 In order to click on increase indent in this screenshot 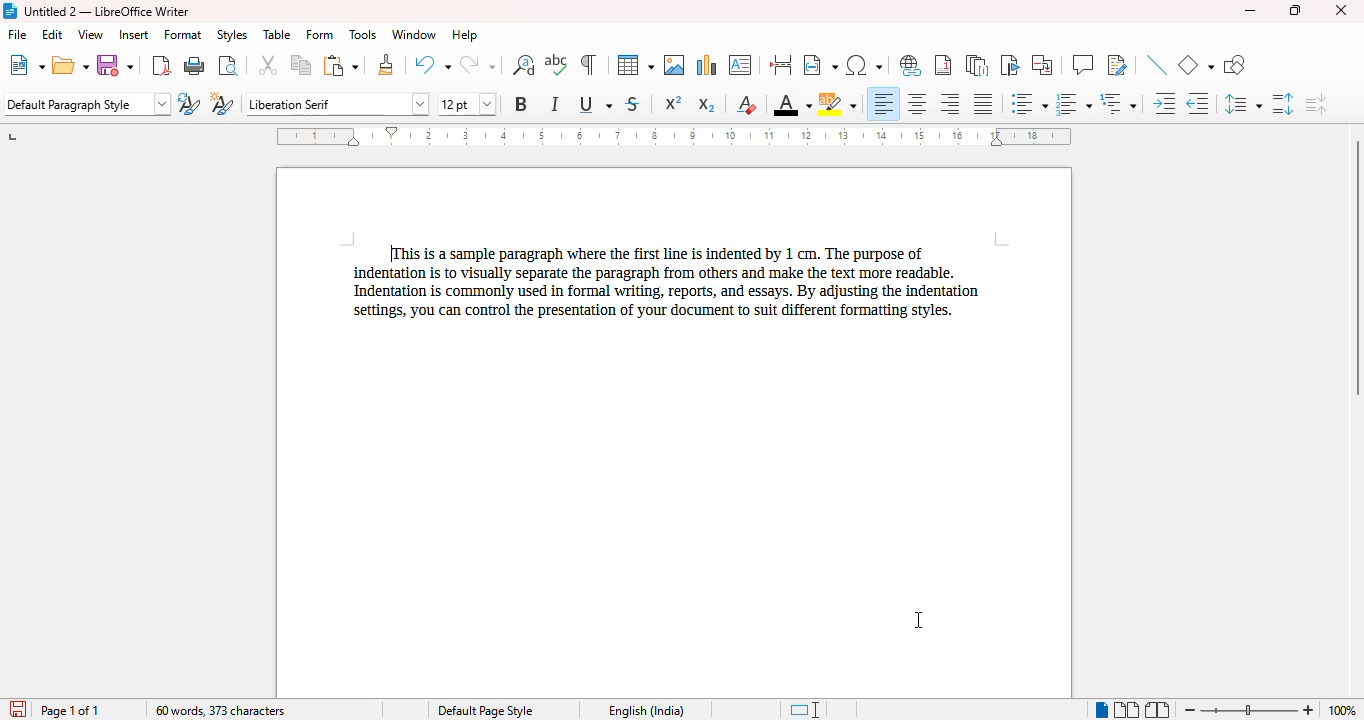, I will do `click(1165, 103)`.